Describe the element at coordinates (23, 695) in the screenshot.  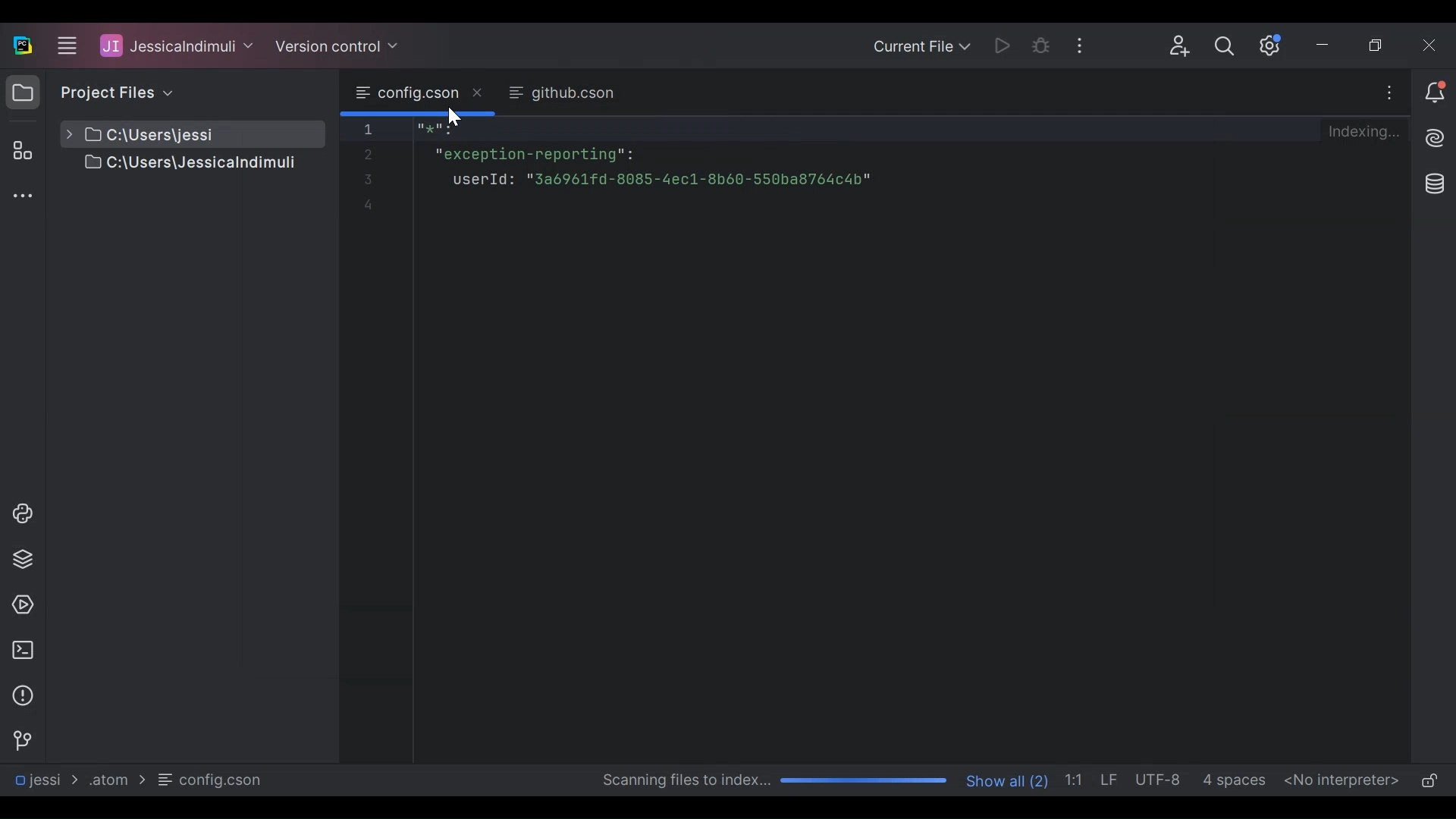
I see `Problems` at that location.